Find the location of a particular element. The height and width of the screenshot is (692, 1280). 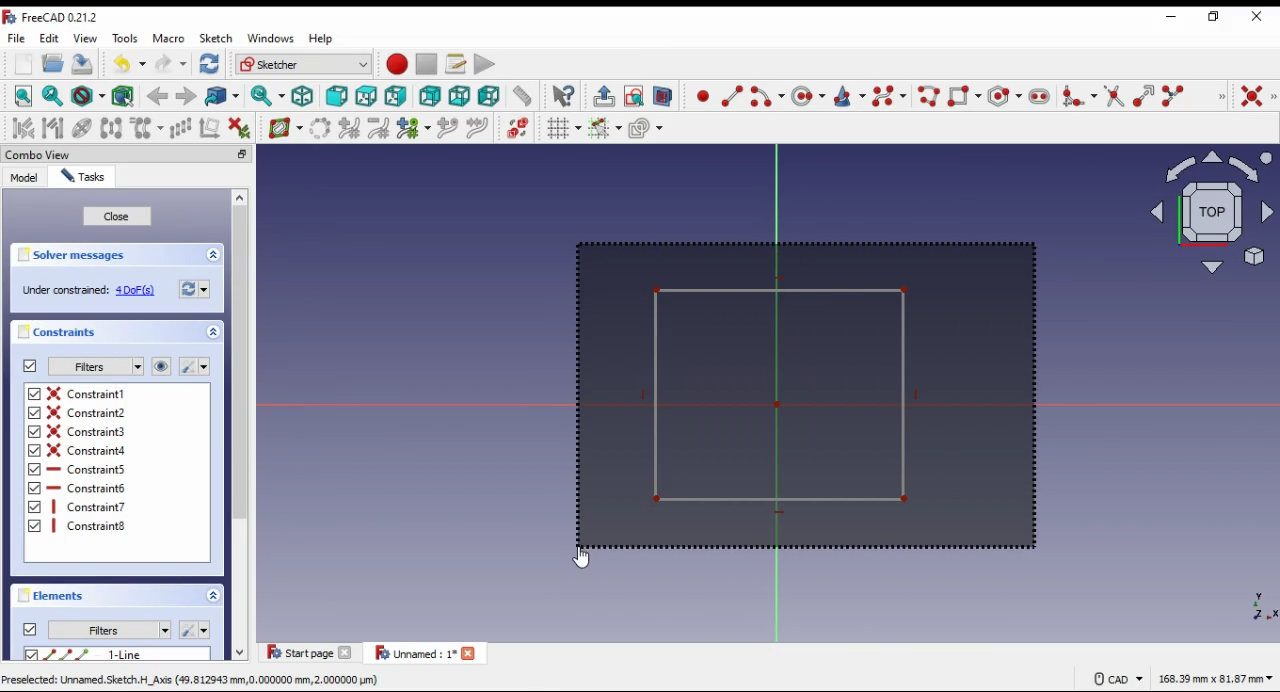

create rectangle is located at coordinates (965, 95).